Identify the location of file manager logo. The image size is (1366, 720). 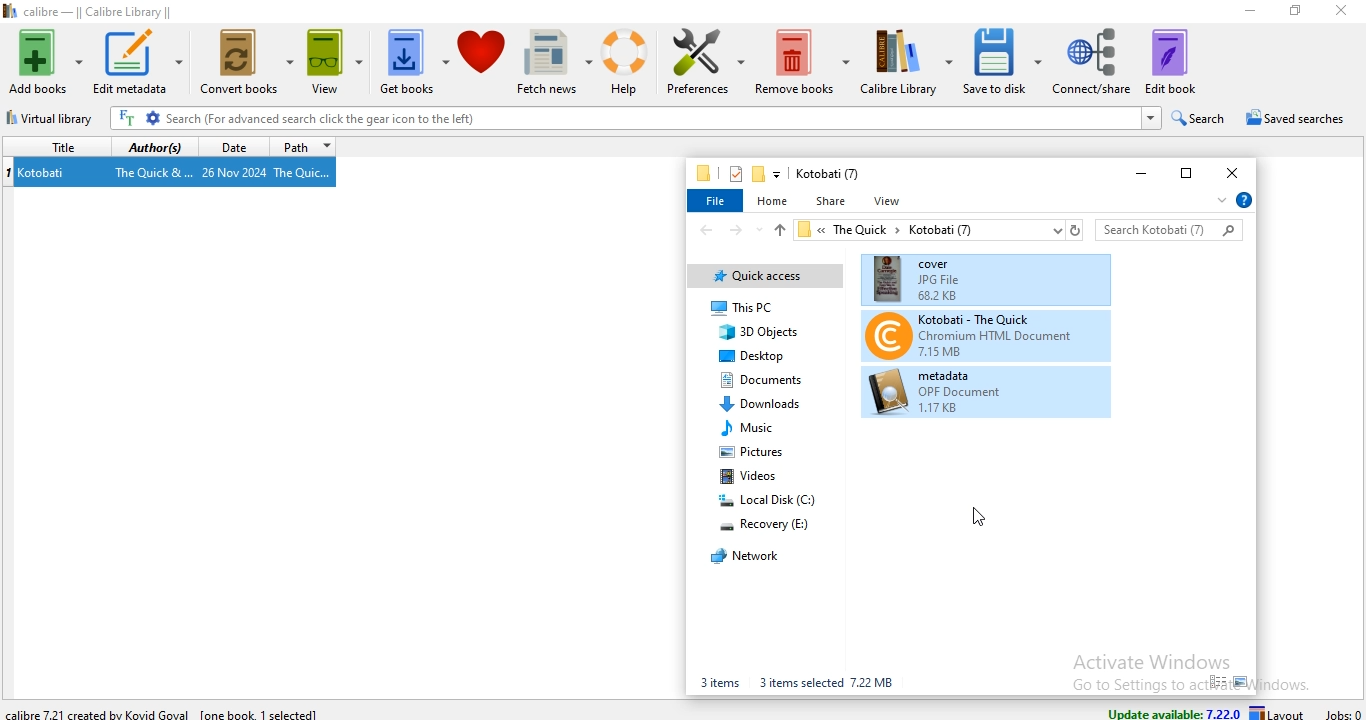
(705, 173).